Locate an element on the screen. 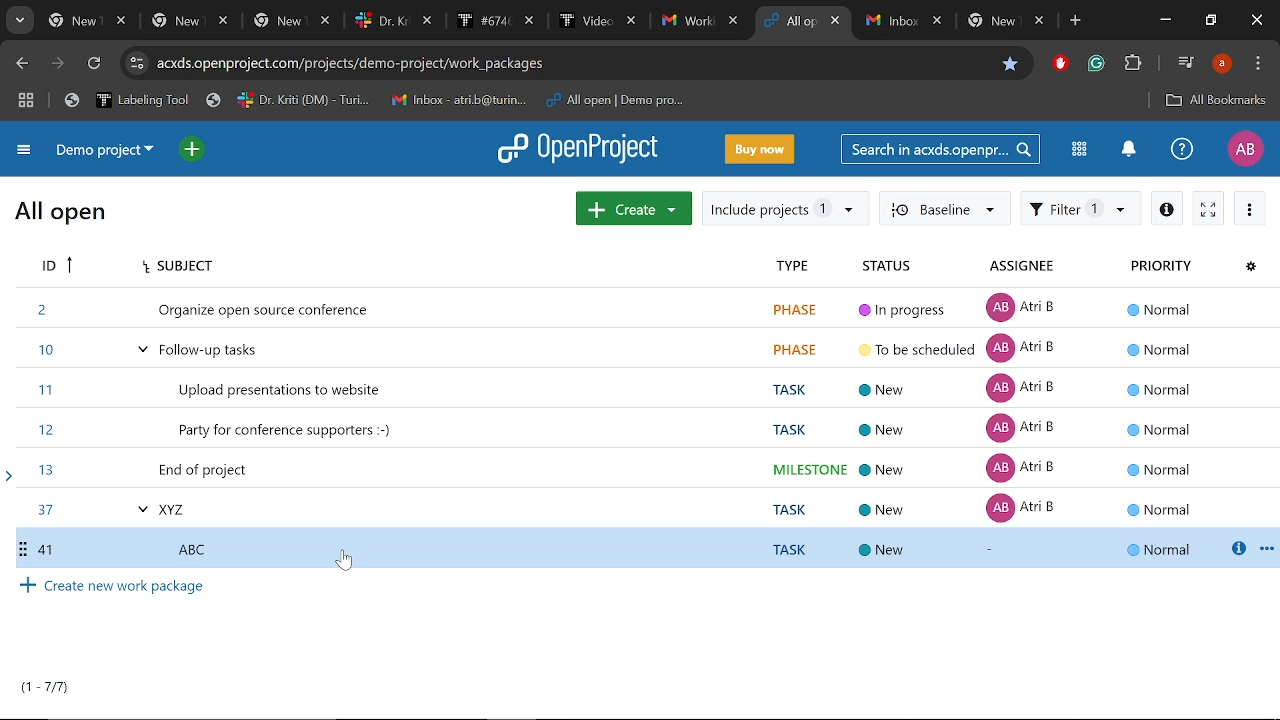 This screenshot has width=1280, height=720. Help is located at coordinates (1182, 150).